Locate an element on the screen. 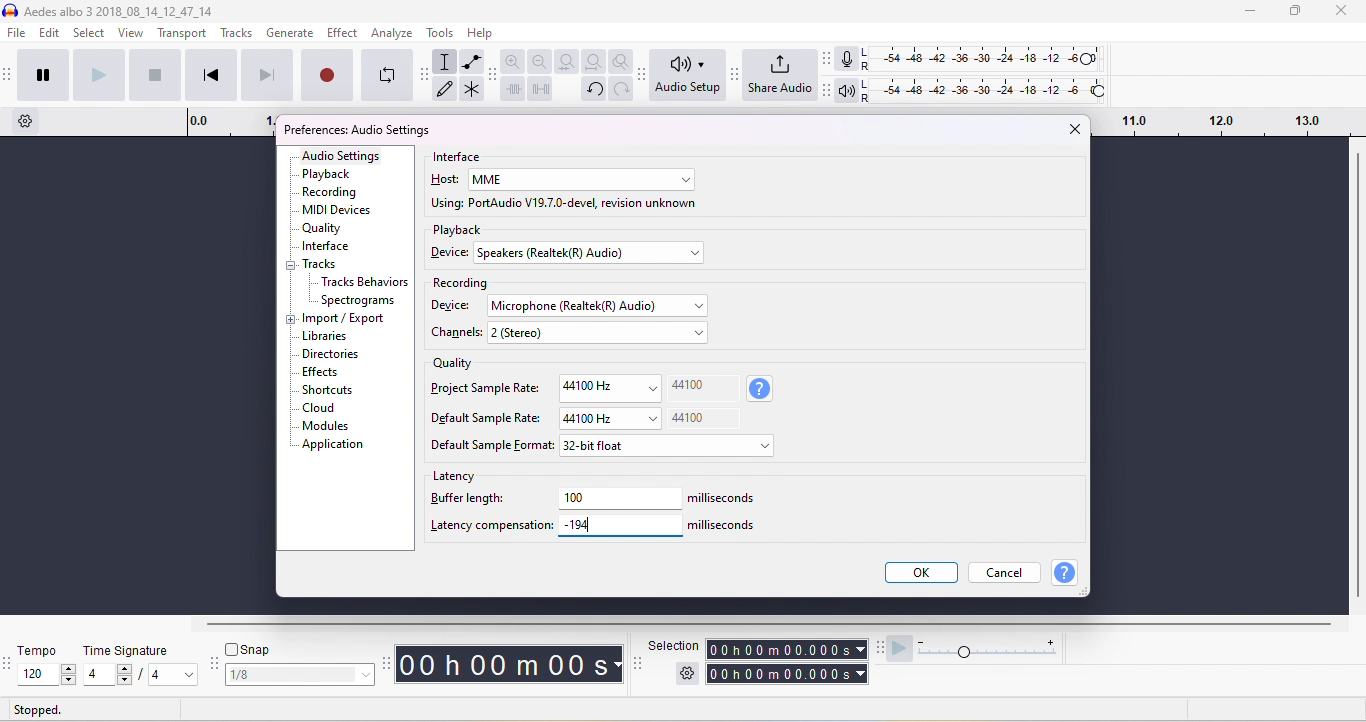 This screenshot has height=722, width=1366. enable looping is located at coordinates (387, 74).